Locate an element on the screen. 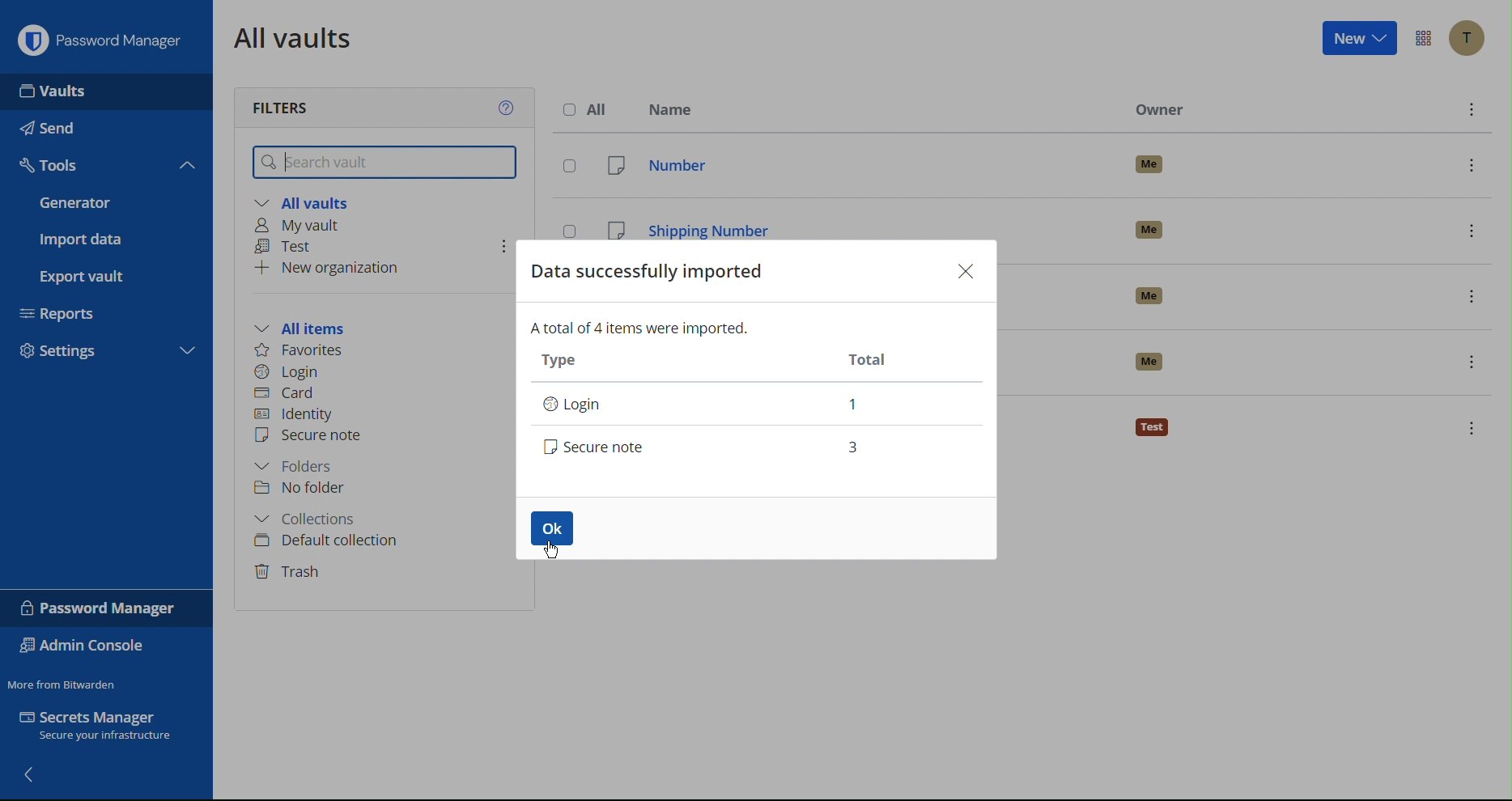 The image size is (1512, 801). 3 is located at coordinates (857, 449).